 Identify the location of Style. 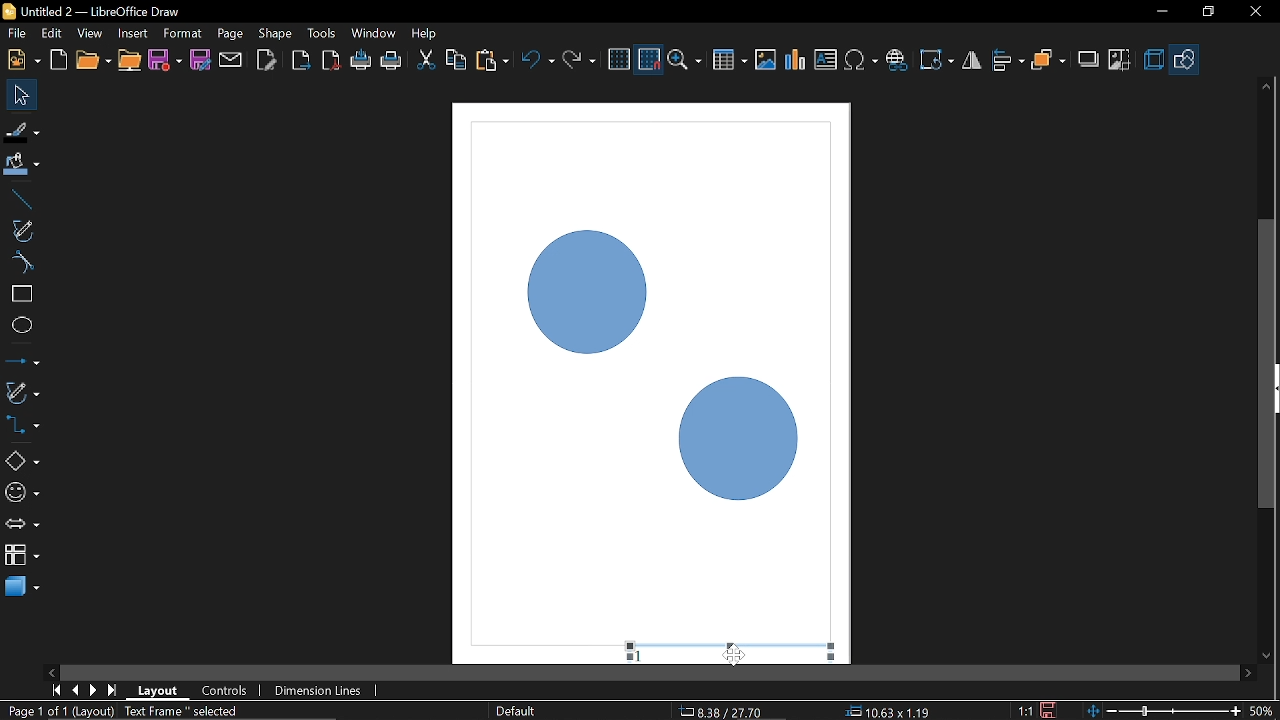
(513, 711).